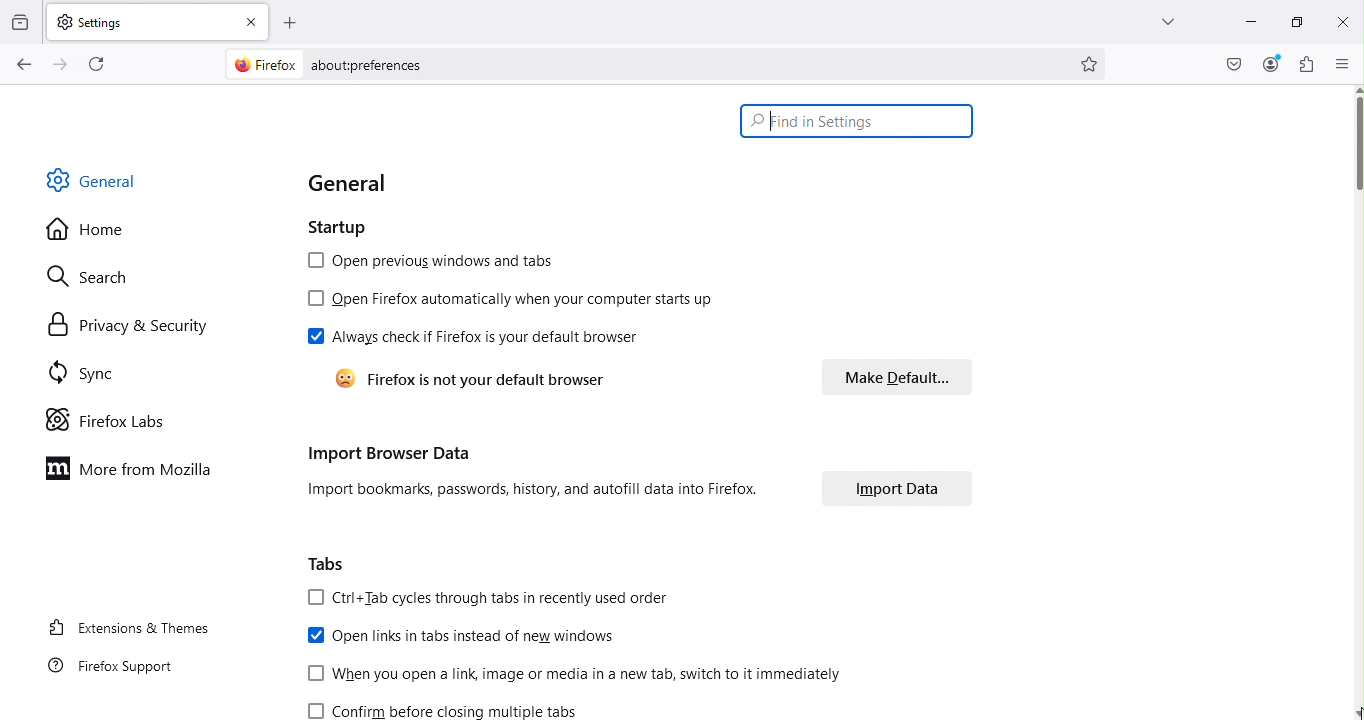 Image resolution: width=1364 pixels, height=720 pixels. Describe the element at coordinates (349, 229) in the screenshot. I see `Start up` at that location.